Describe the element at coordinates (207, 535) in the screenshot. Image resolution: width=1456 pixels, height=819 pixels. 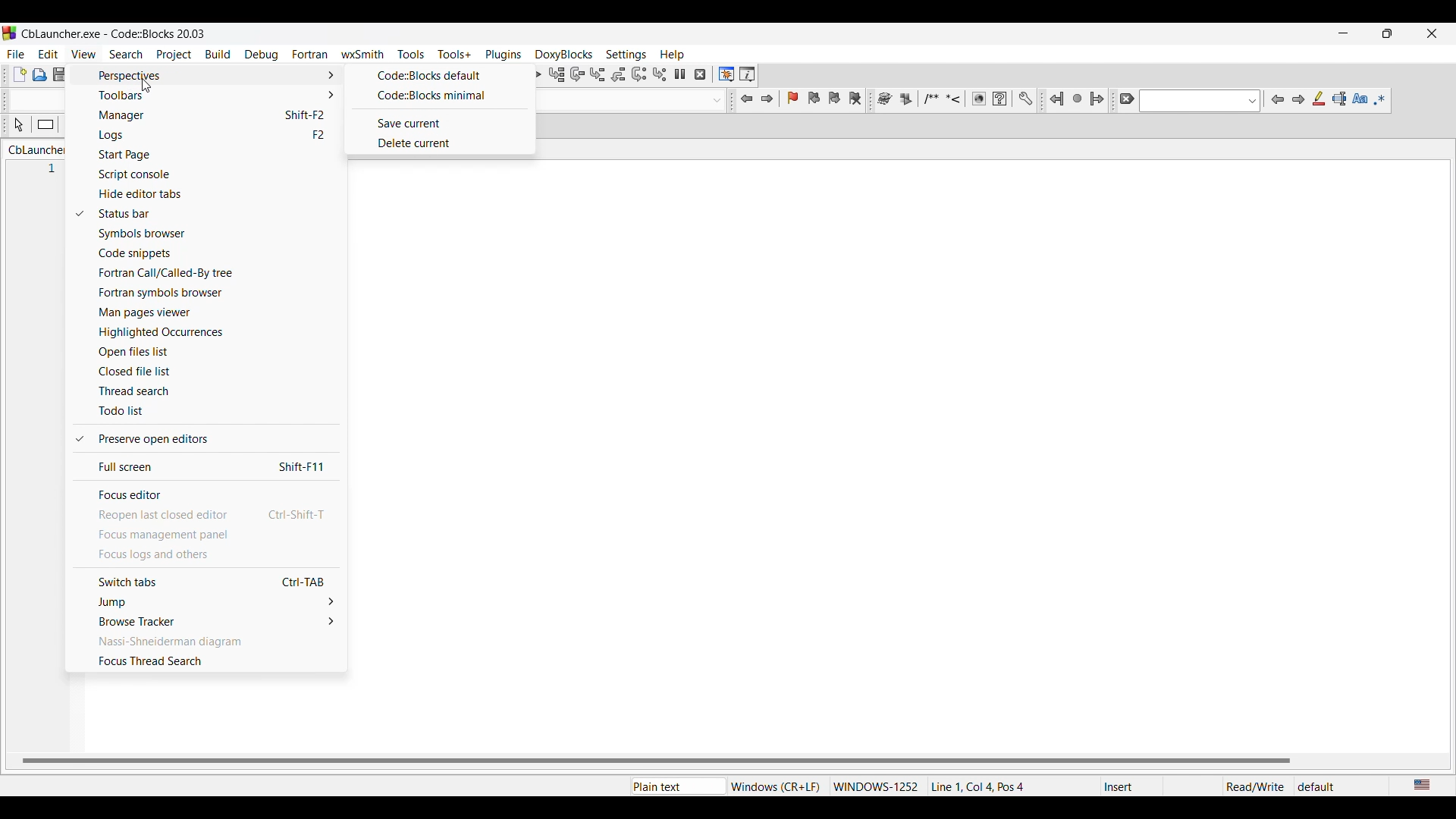
I see `Focus management panel` at that location.